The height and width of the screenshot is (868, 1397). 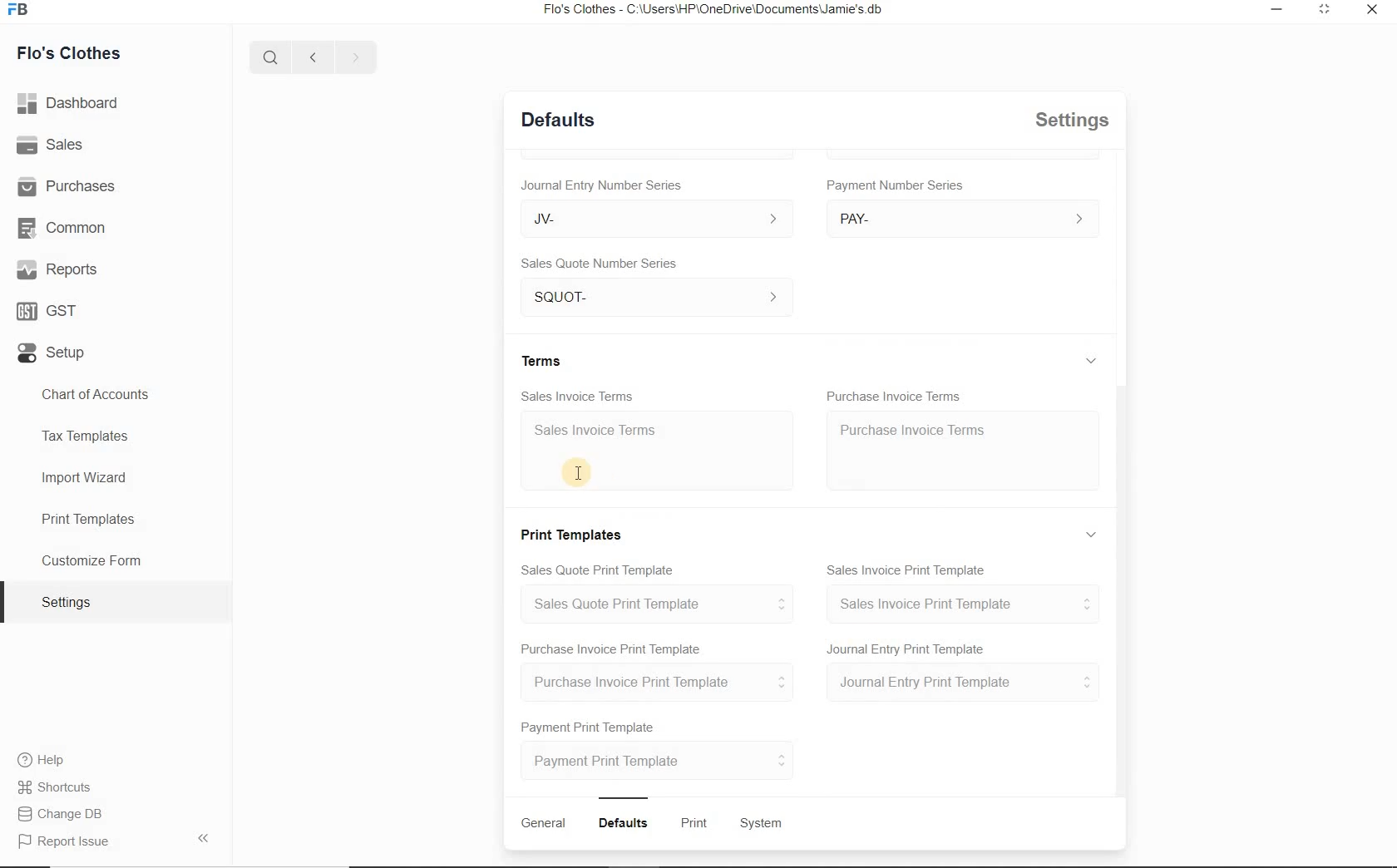 I want to click on Text Cursor, so click(x=575, y=470).